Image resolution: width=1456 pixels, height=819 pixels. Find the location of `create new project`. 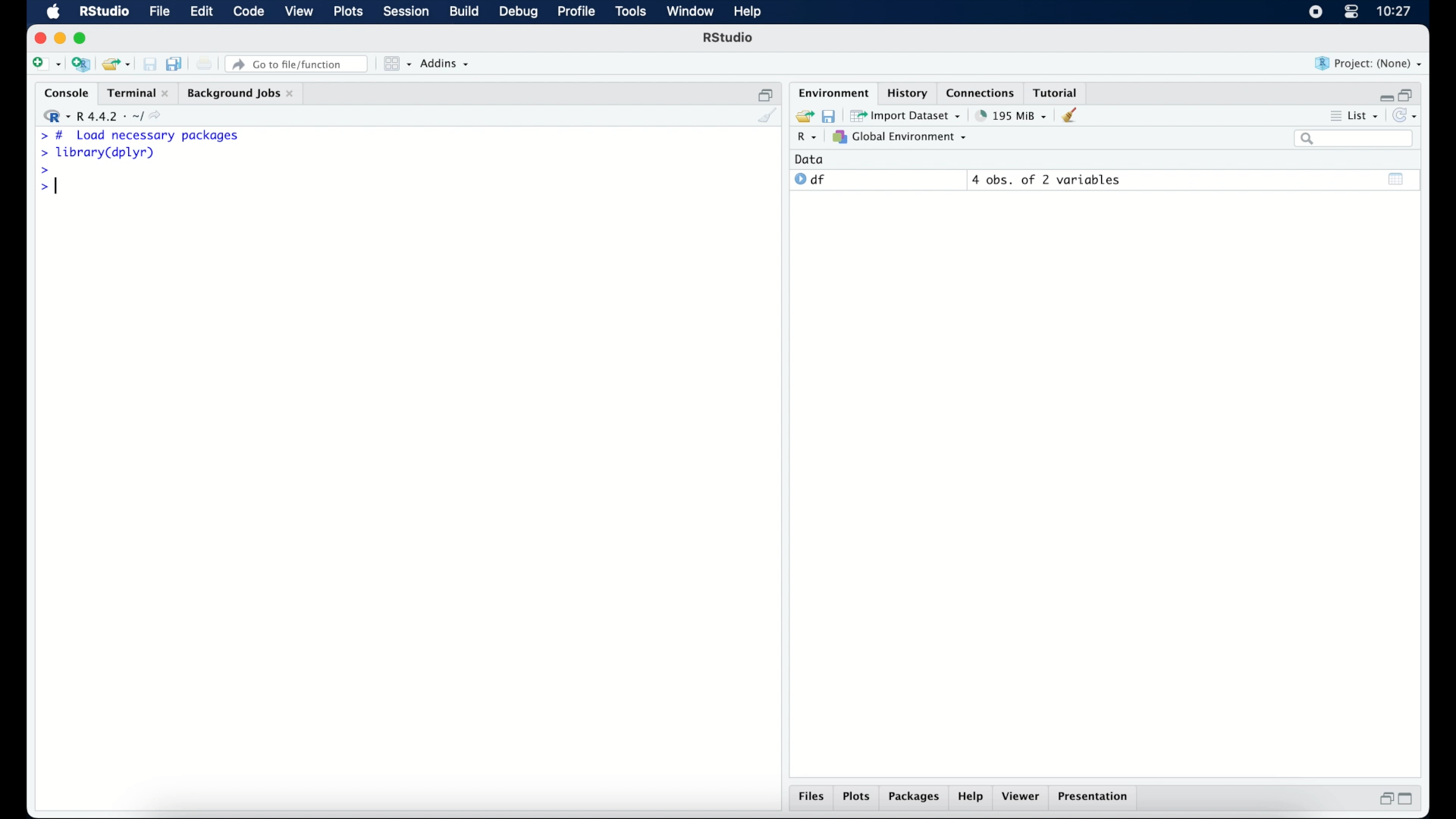

create new project is located at coordinates (81, 65).